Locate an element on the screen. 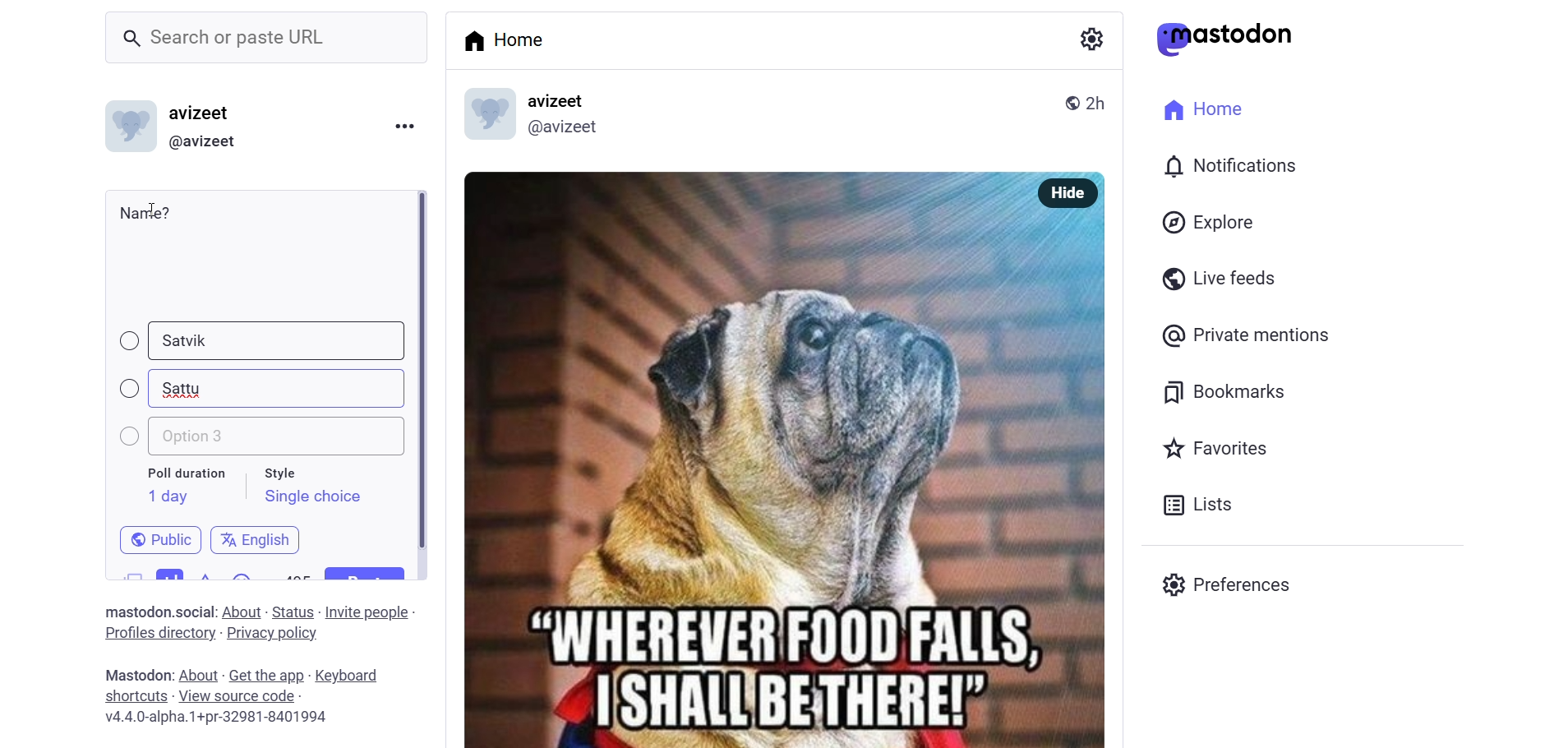  shortcuts is located at coordinates (135, 696).